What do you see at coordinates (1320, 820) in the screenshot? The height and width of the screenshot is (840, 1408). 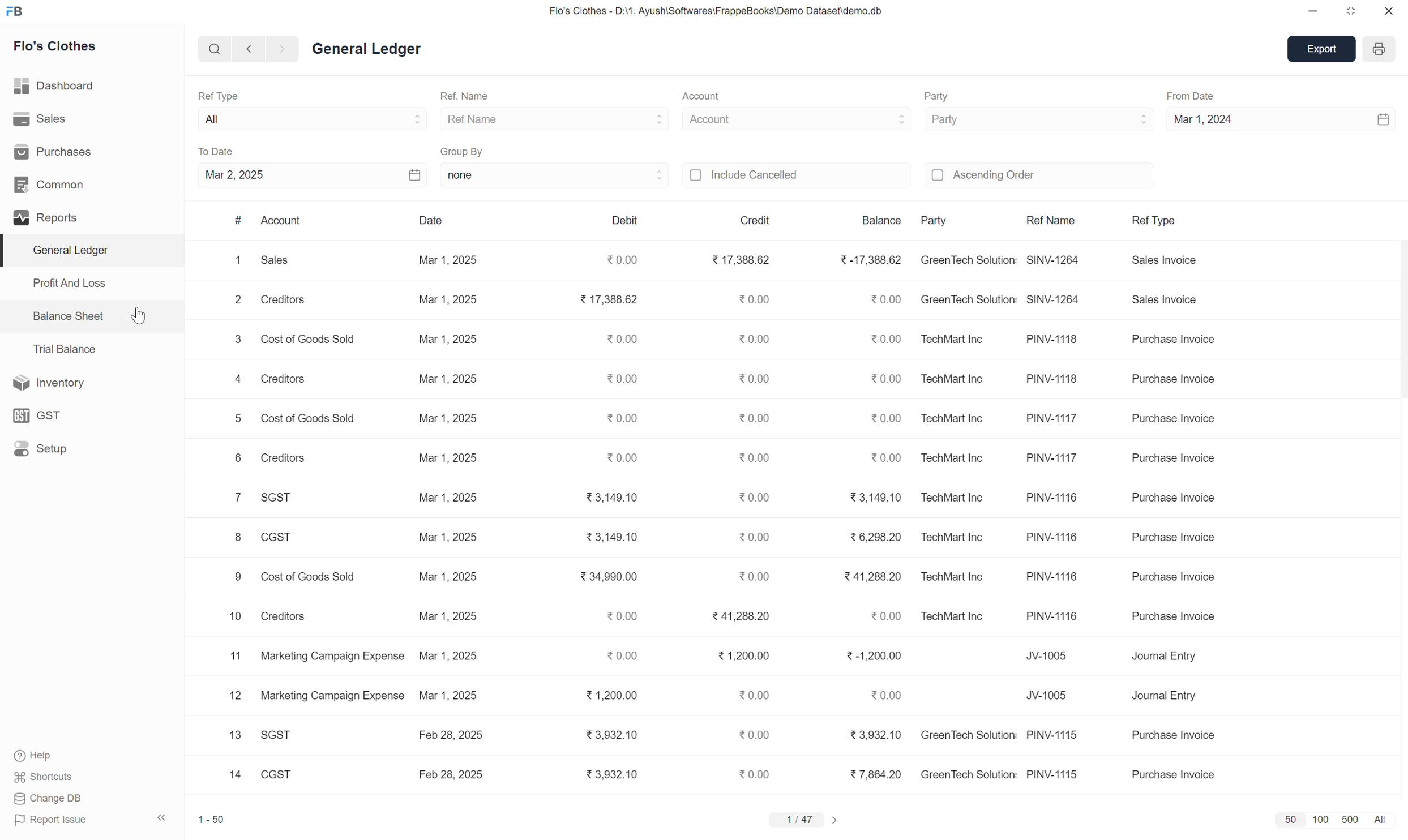 I see `100` at bounding box center [1320, 820].